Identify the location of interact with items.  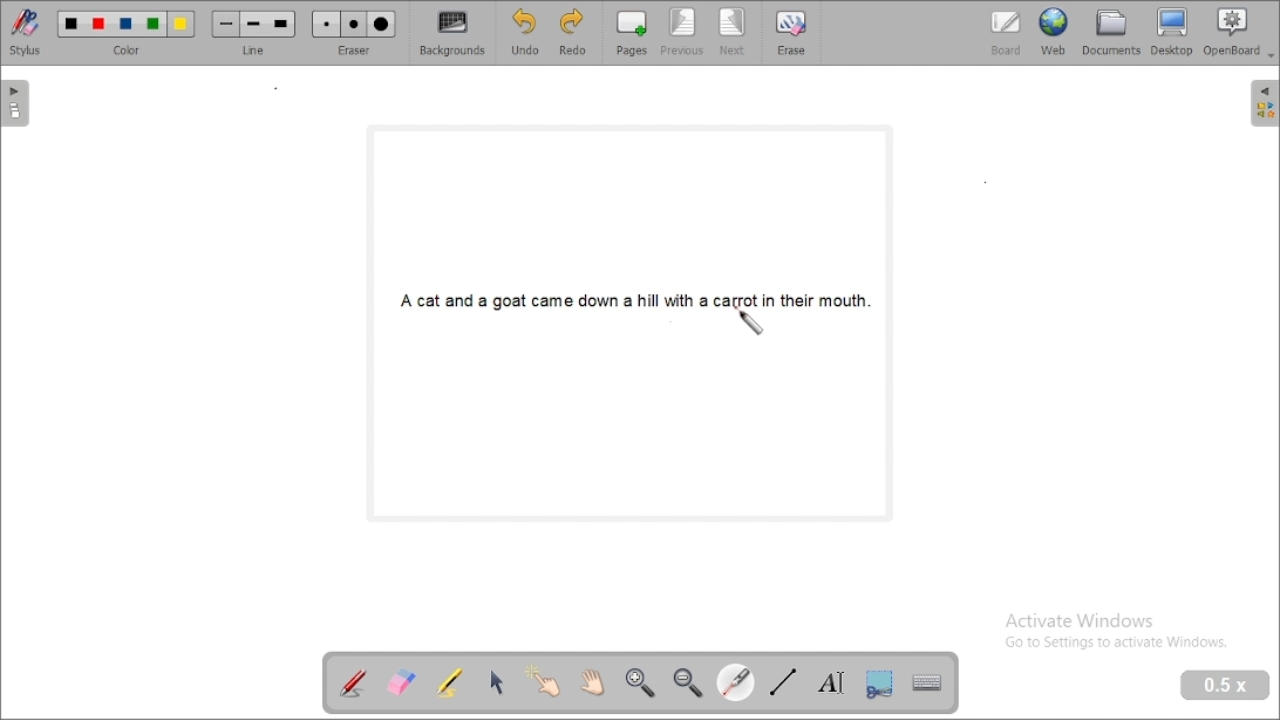
(542, 680).